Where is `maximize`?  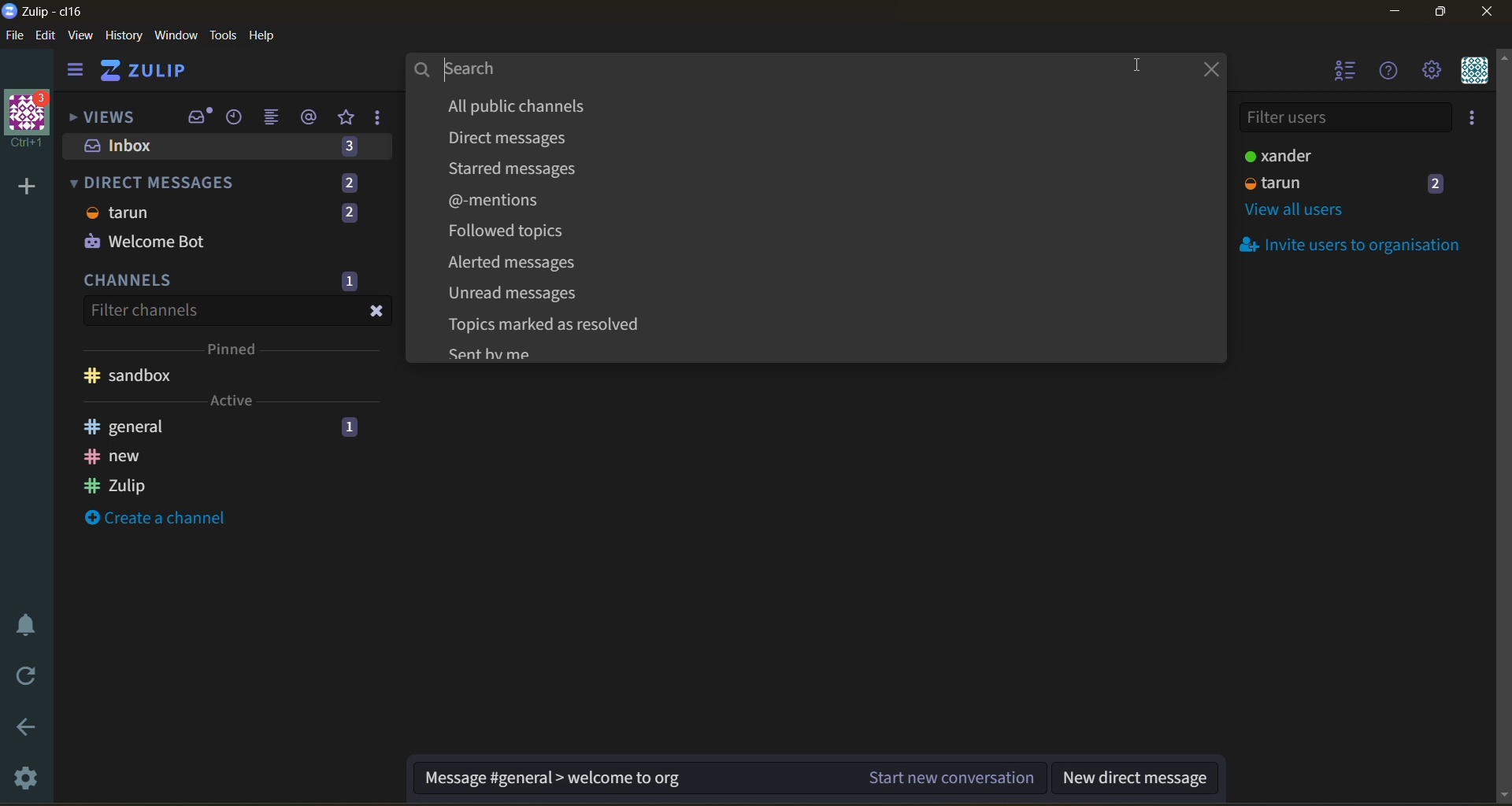 maximize is located at coordinates (1444, 12).